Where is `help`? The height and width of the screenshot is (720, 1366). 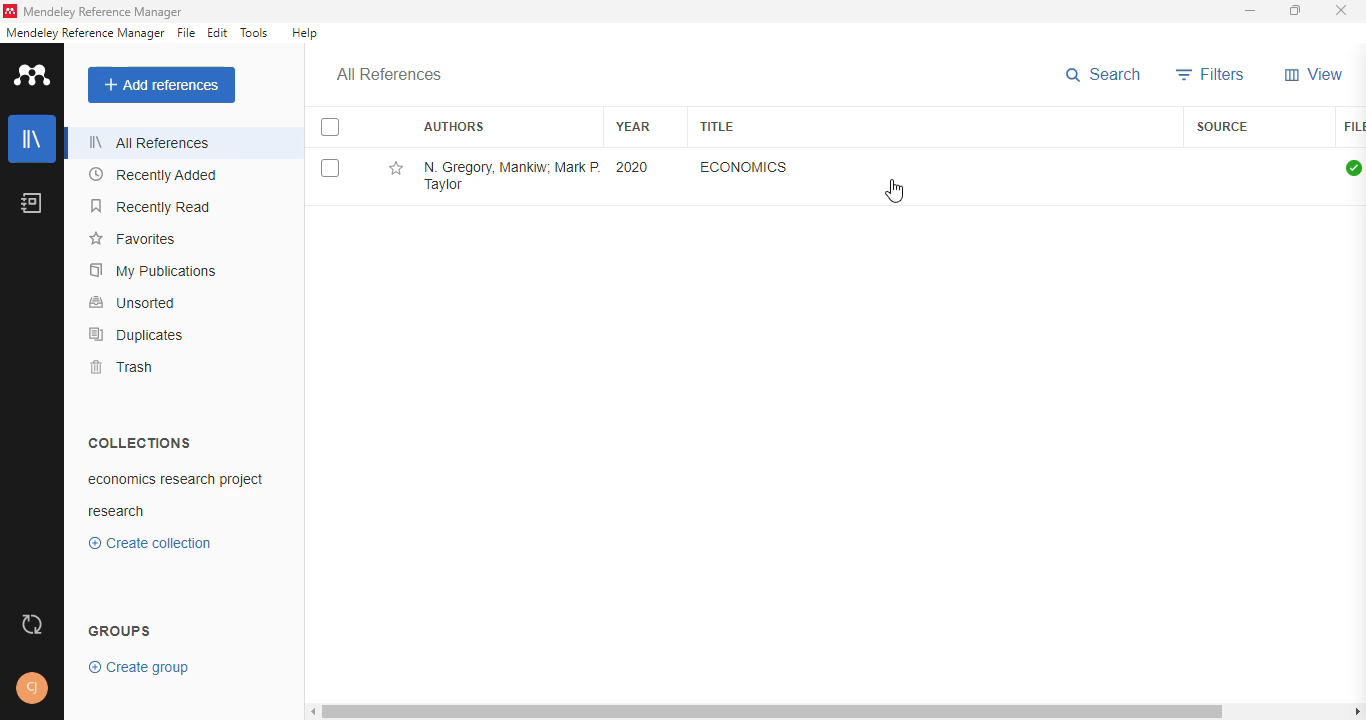
help is located at coordinates (305, 33).